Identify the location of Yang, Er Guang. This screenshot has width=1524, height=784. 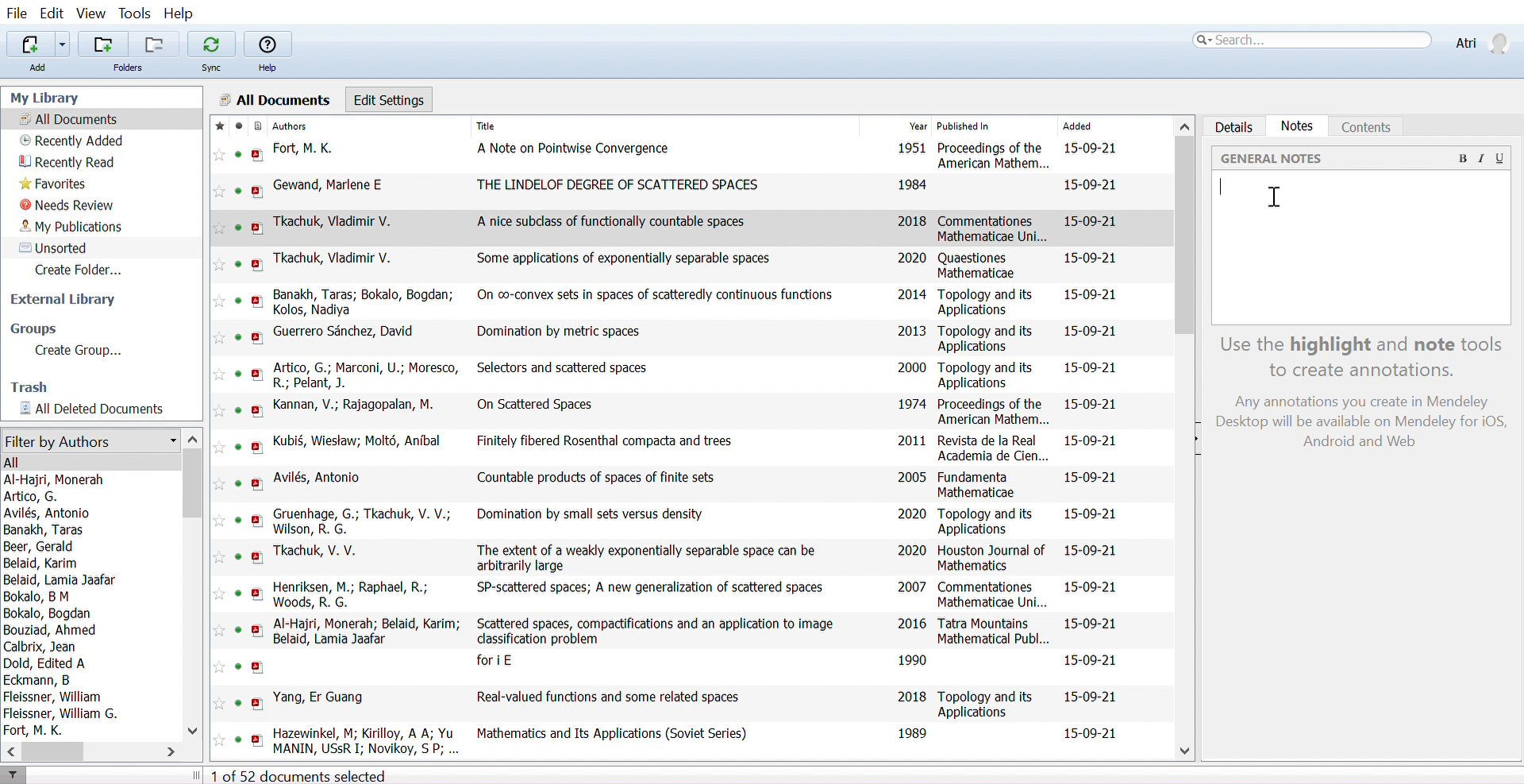
(321, 698).